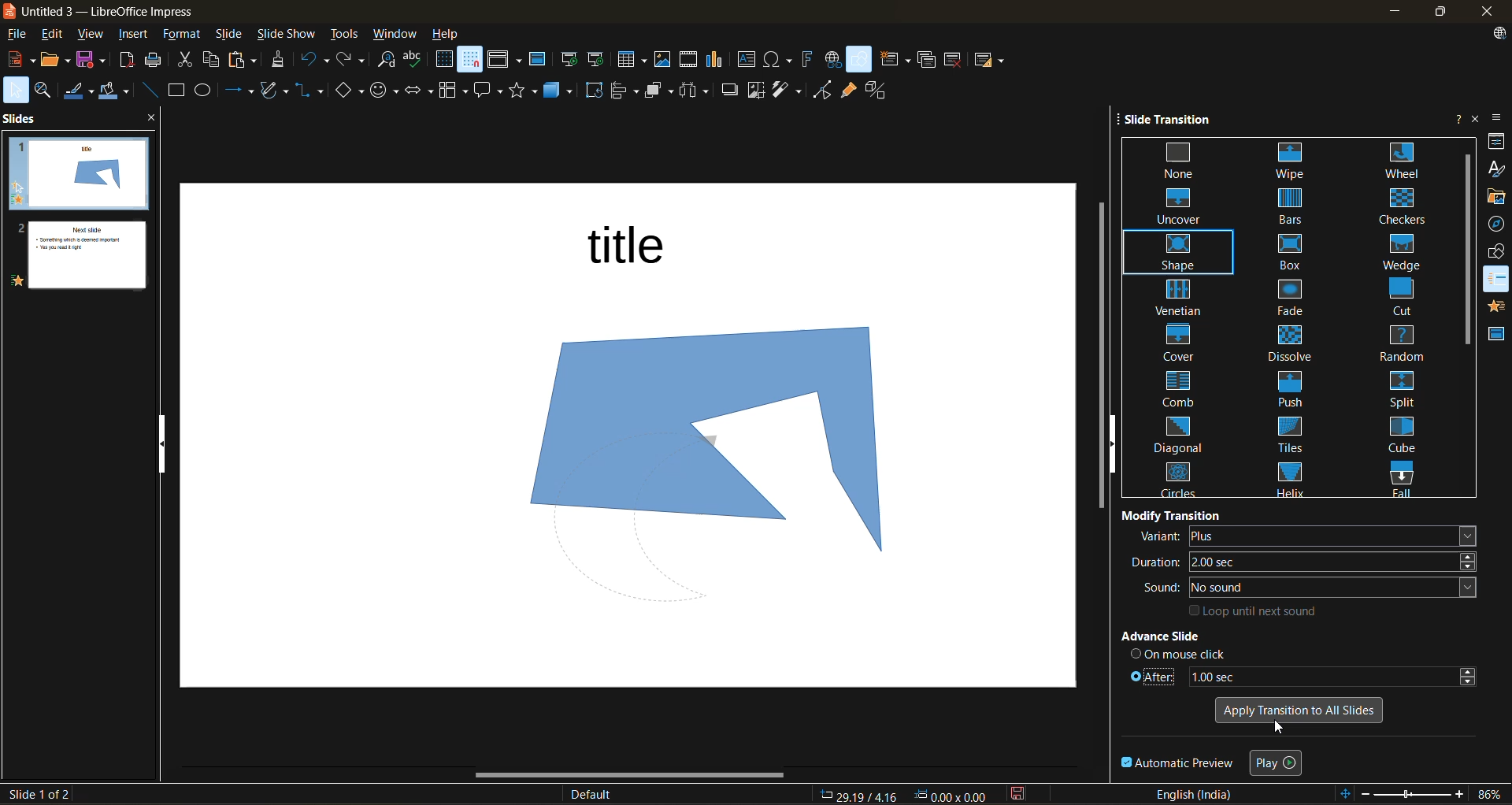  I want to click on toggle extrusion, so click(881, 90).